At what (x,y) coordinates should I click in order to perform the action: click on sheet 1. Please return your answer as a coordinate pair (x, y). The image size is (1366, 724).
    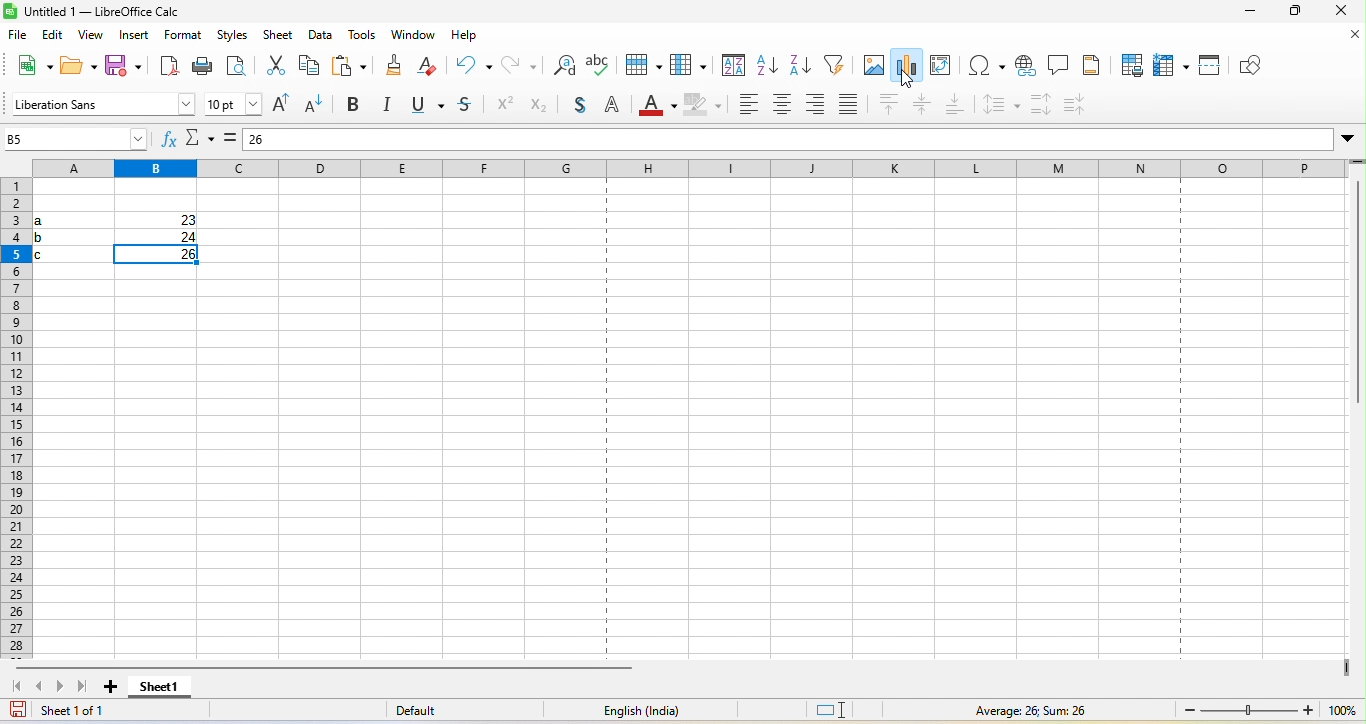
    Looking at the image, I should click on (161, 690).